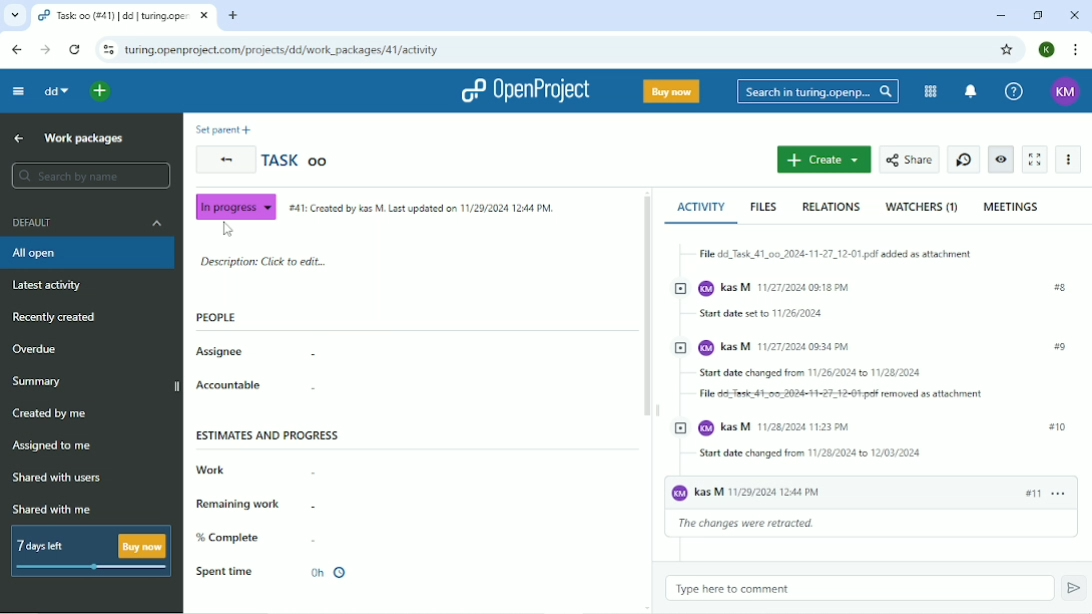  What do you see at coordinates (224, 160) in the screenshot?
I see `Back` at bounding box center [224, 160].